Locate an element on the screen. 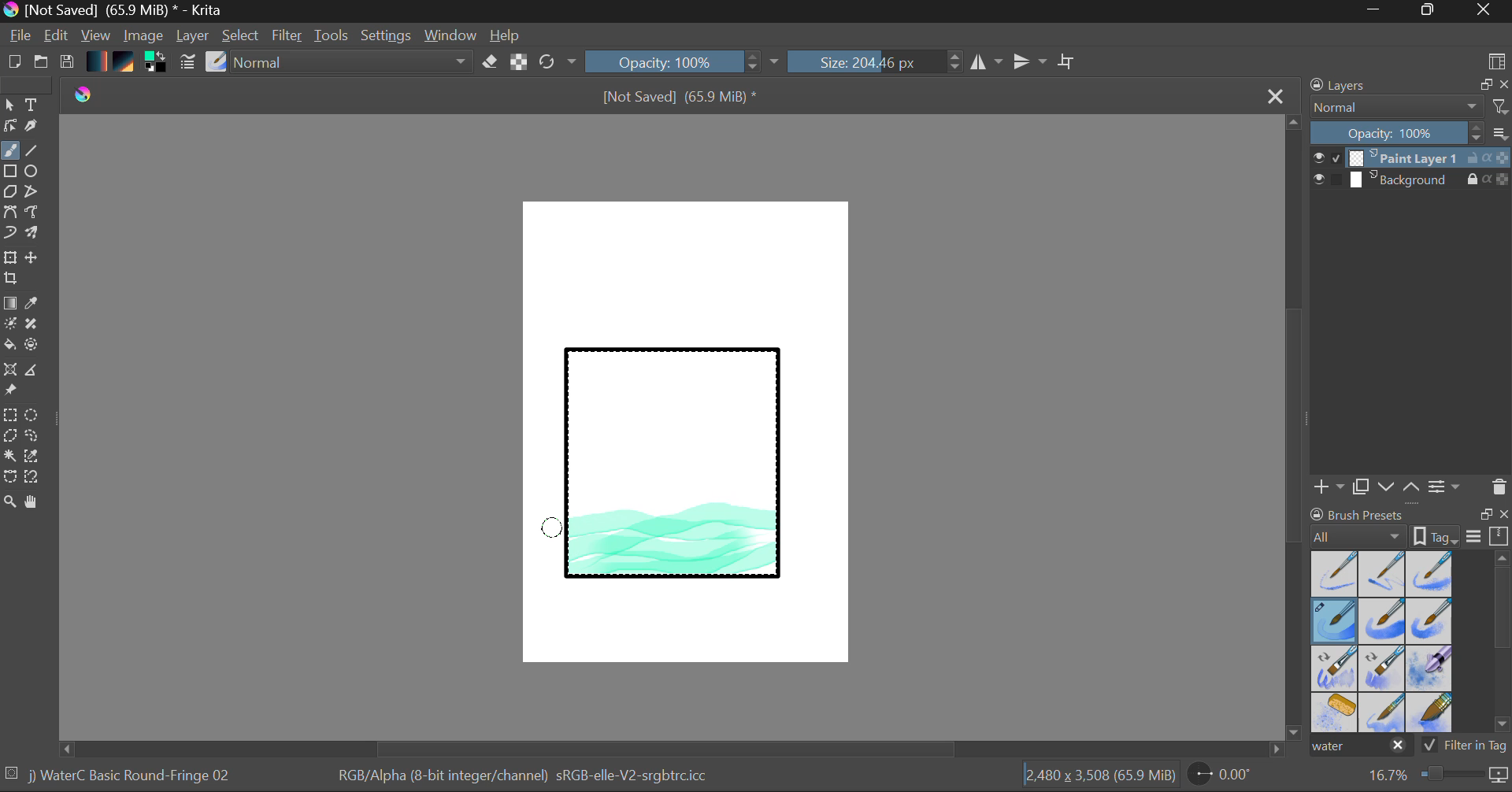  Background Layer is located at coordinates (1411, 180).